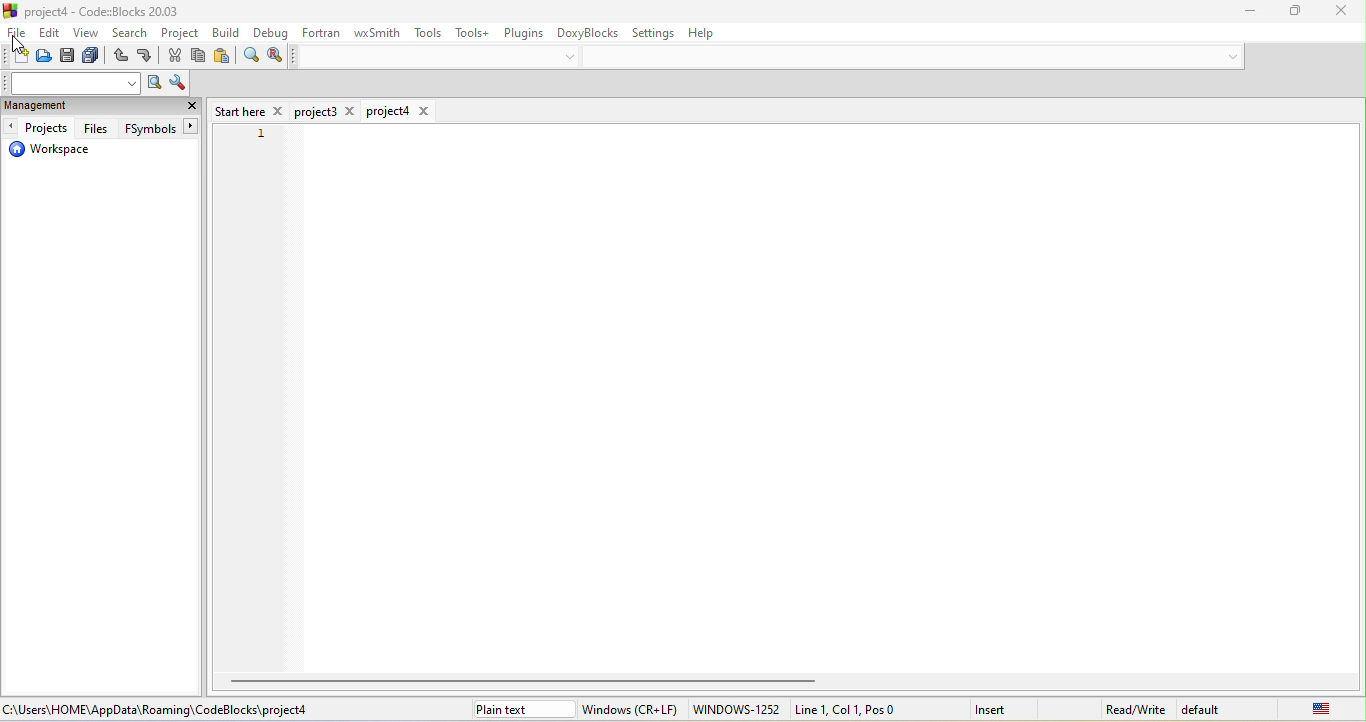  Describe the element at coordinates (176, 57) in the screenshot. I see `cut` at that location.